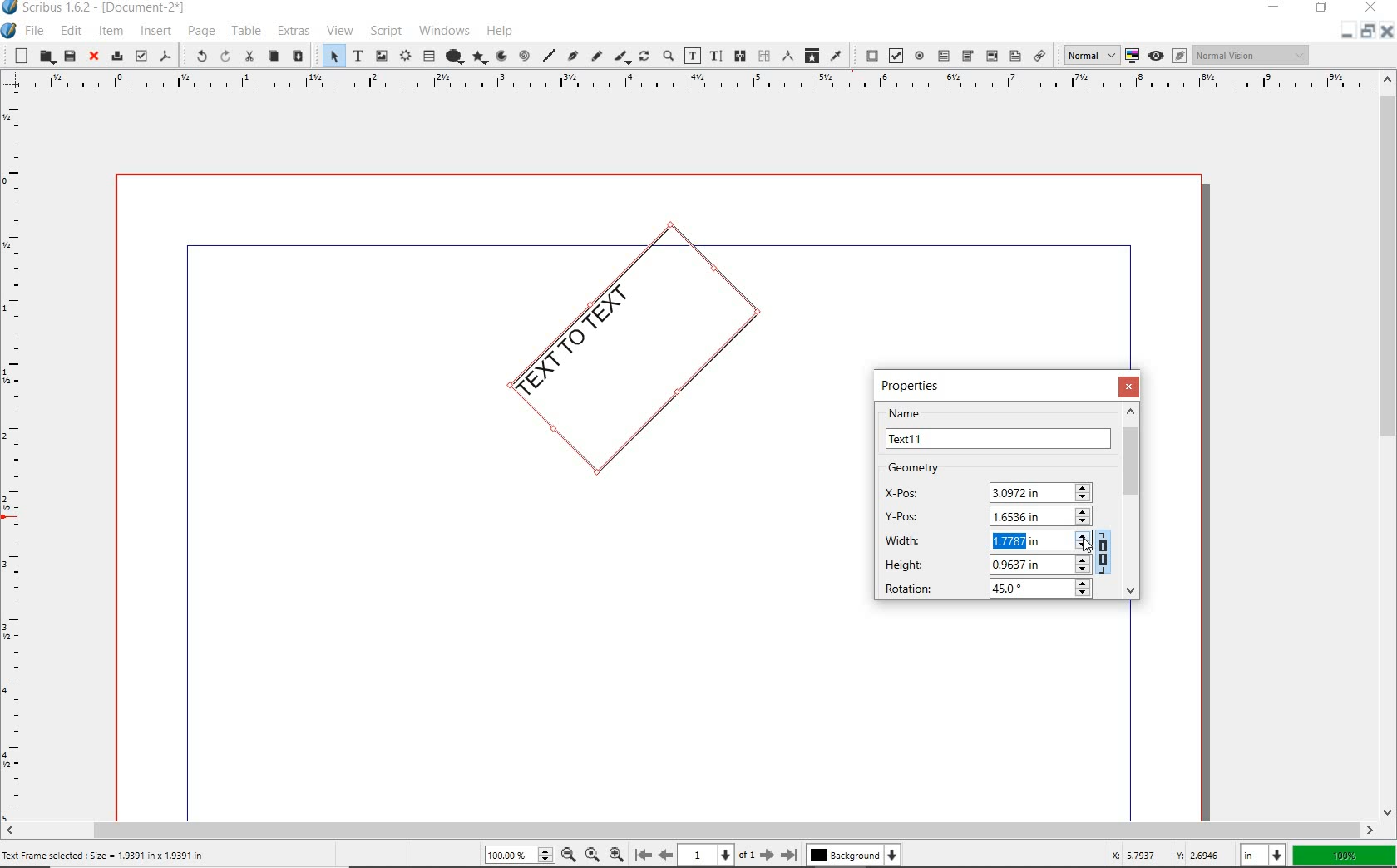 This screenshot has height=868, width=1397. I want to click on file, so click(36, 32).